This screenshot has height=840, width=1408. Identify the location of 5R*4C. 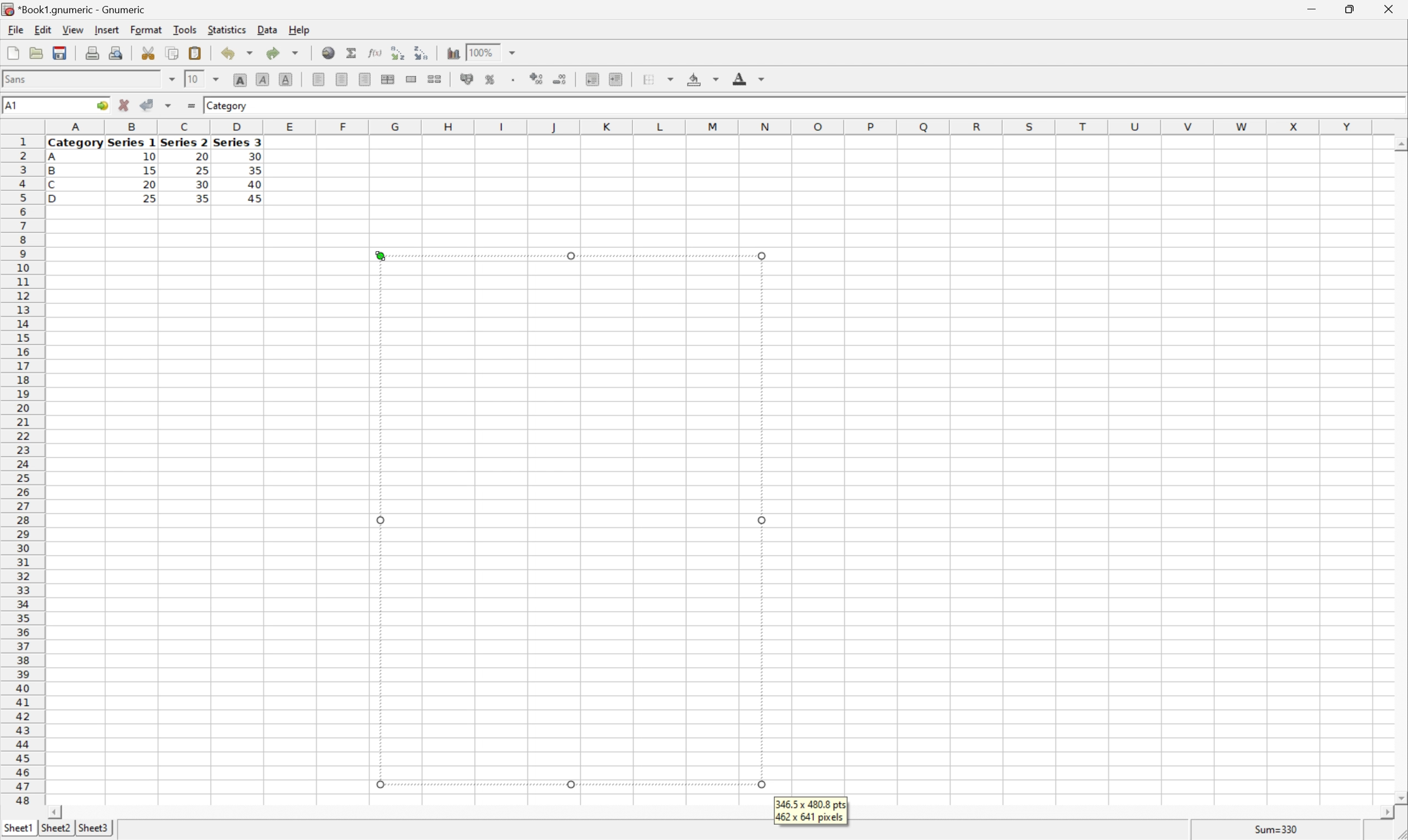
(24, 107).